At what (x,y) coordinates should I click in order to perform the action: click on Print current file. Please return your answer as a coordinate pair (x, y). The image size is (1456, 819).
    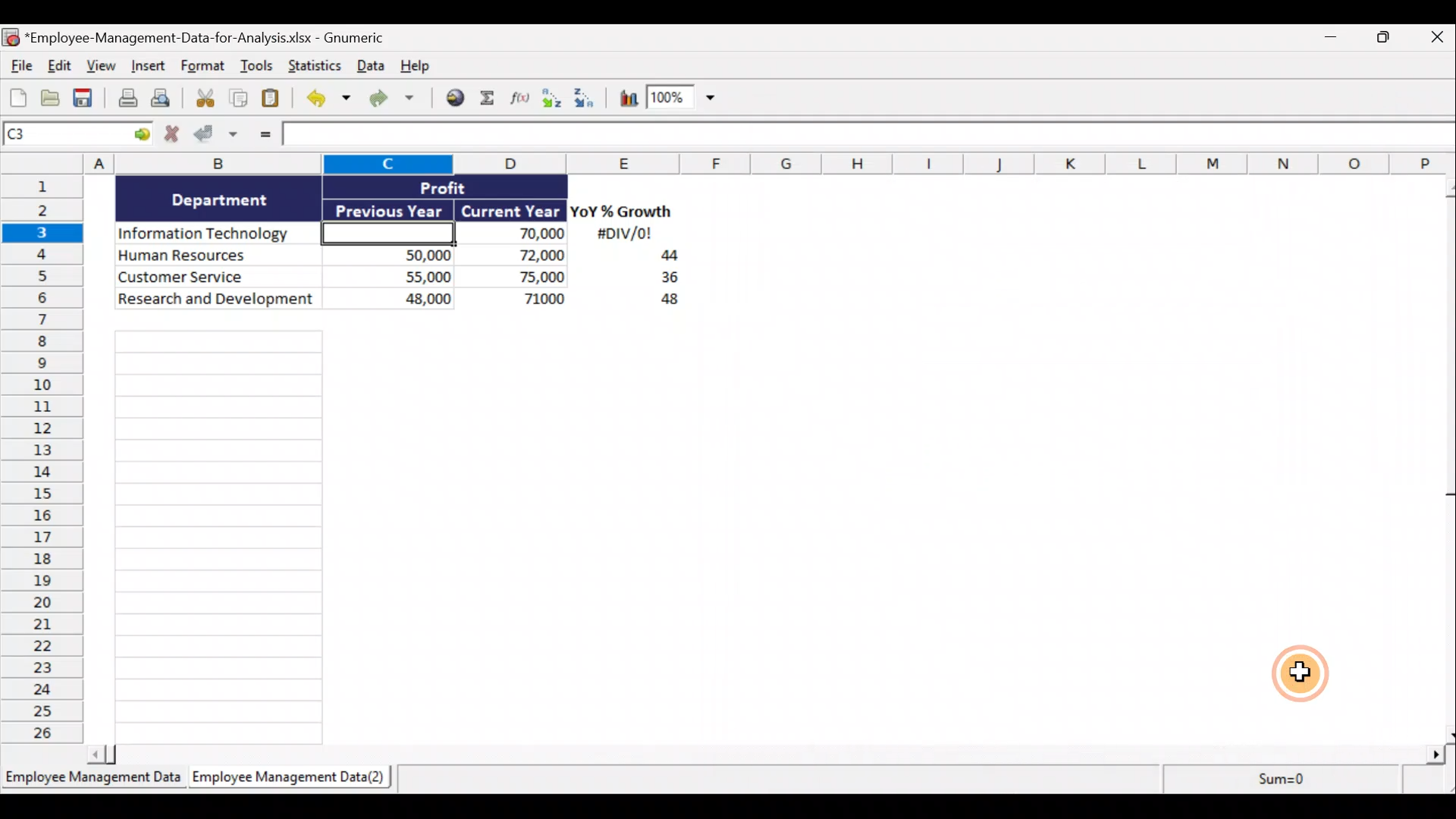
    Looking at the image, I should click on (125, 99).